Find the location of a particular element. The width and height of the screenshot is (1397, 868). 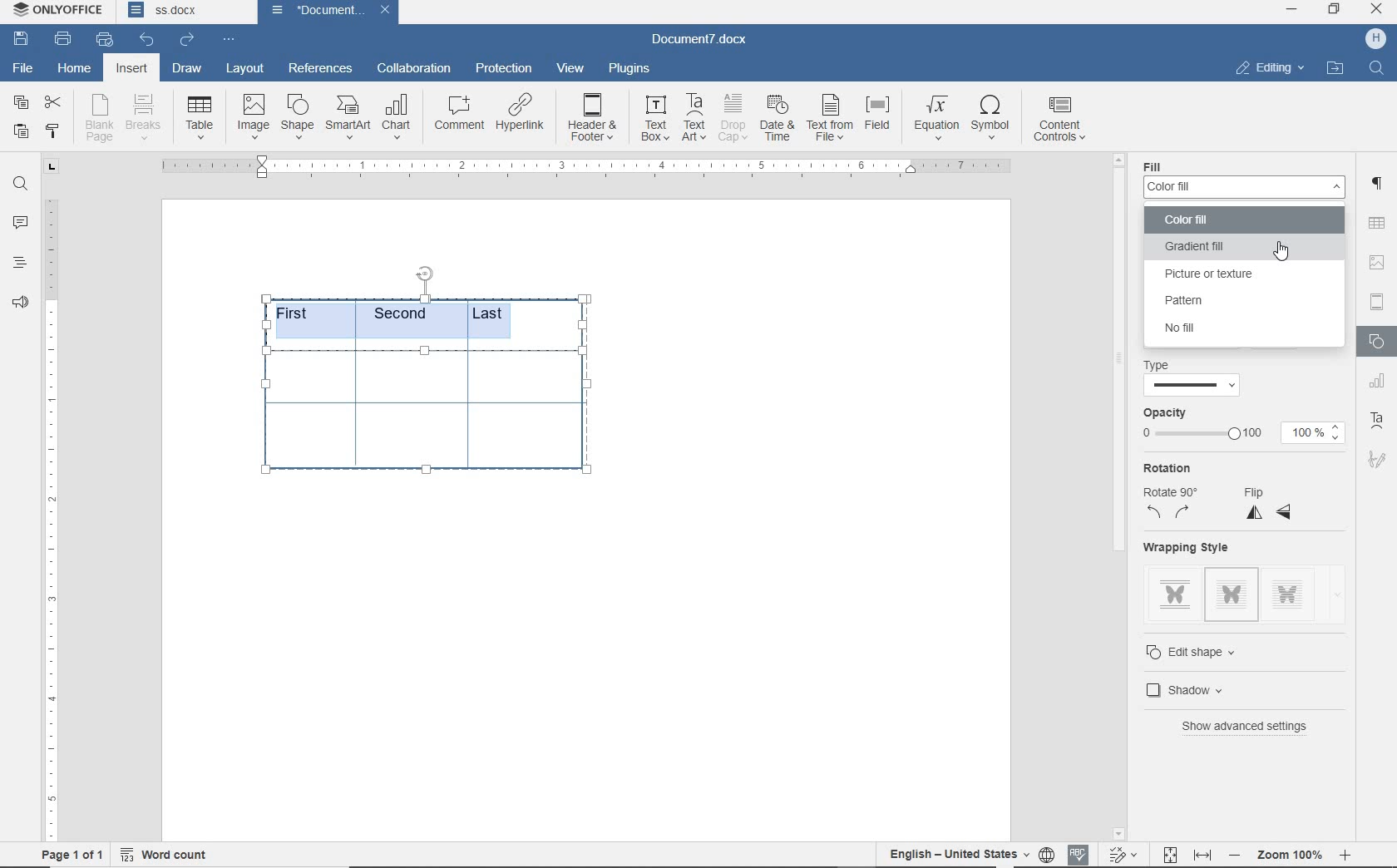

style 3 is located at coordinates (1288, 590).